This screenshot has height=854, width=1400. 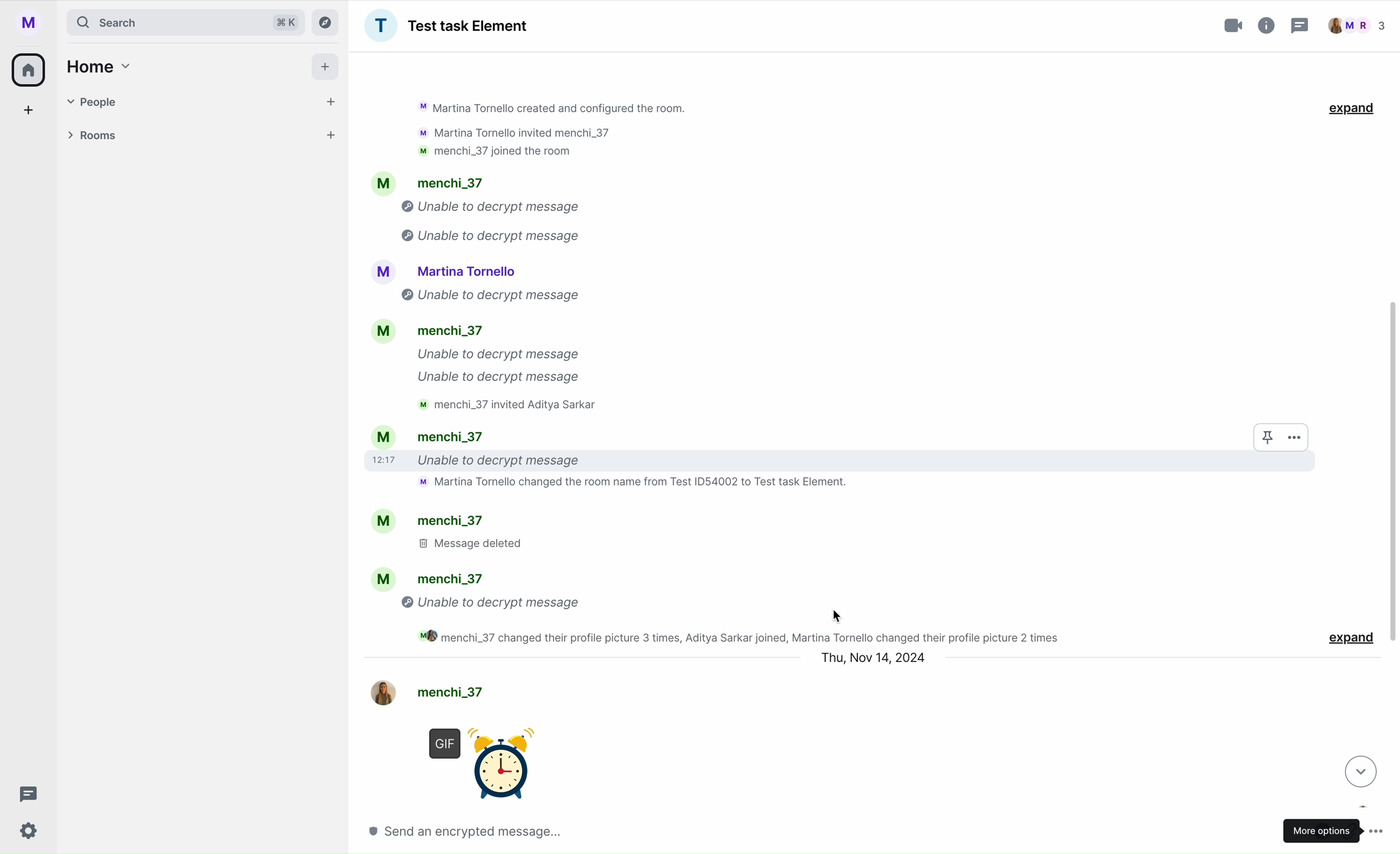 What do you see at coordinates (1235, 26) in the screenshot?
I see `video call` at bounding box center [1235, 26].